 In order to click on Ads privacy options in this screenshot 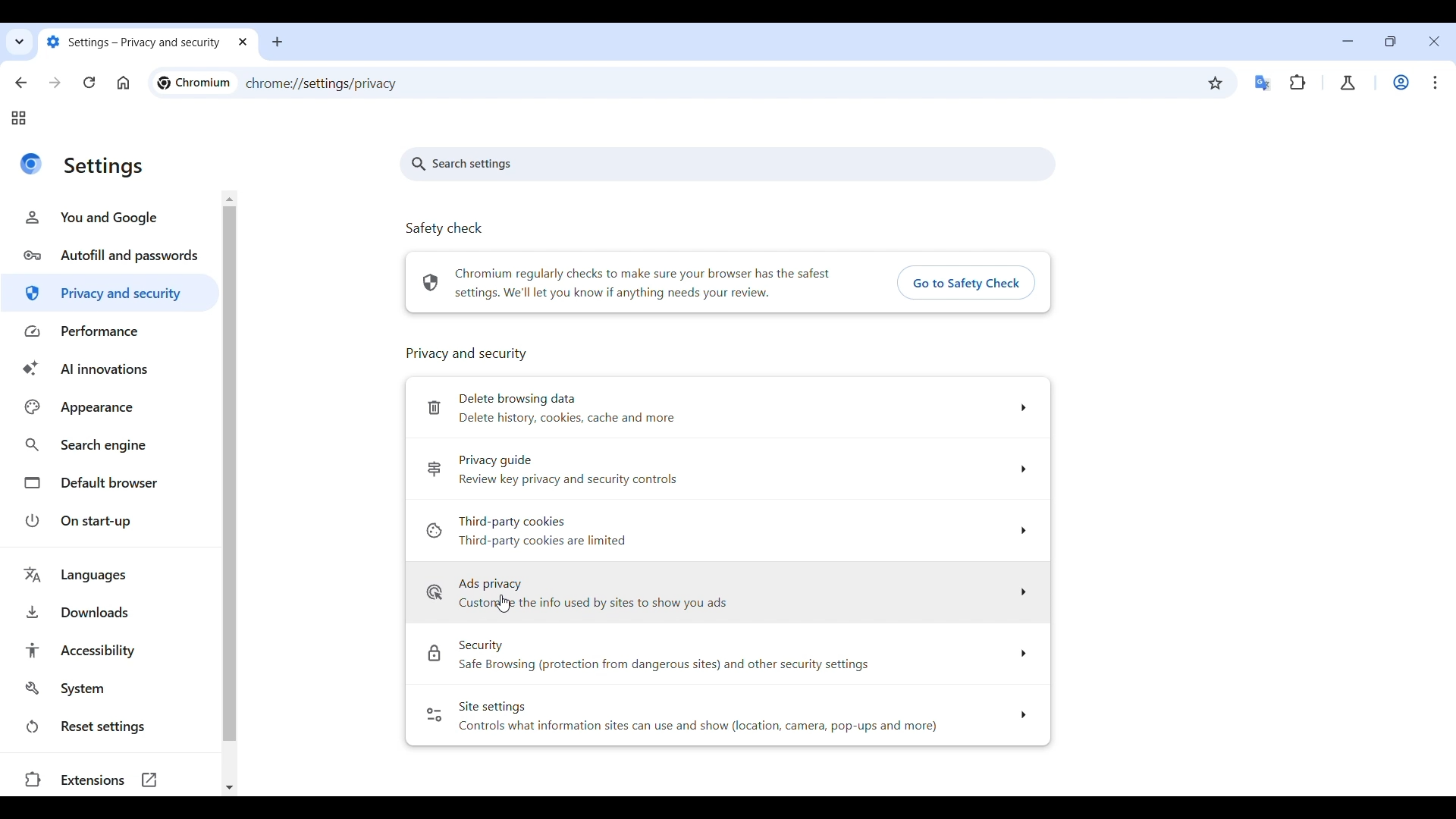, I will do `click(727, 592)`.